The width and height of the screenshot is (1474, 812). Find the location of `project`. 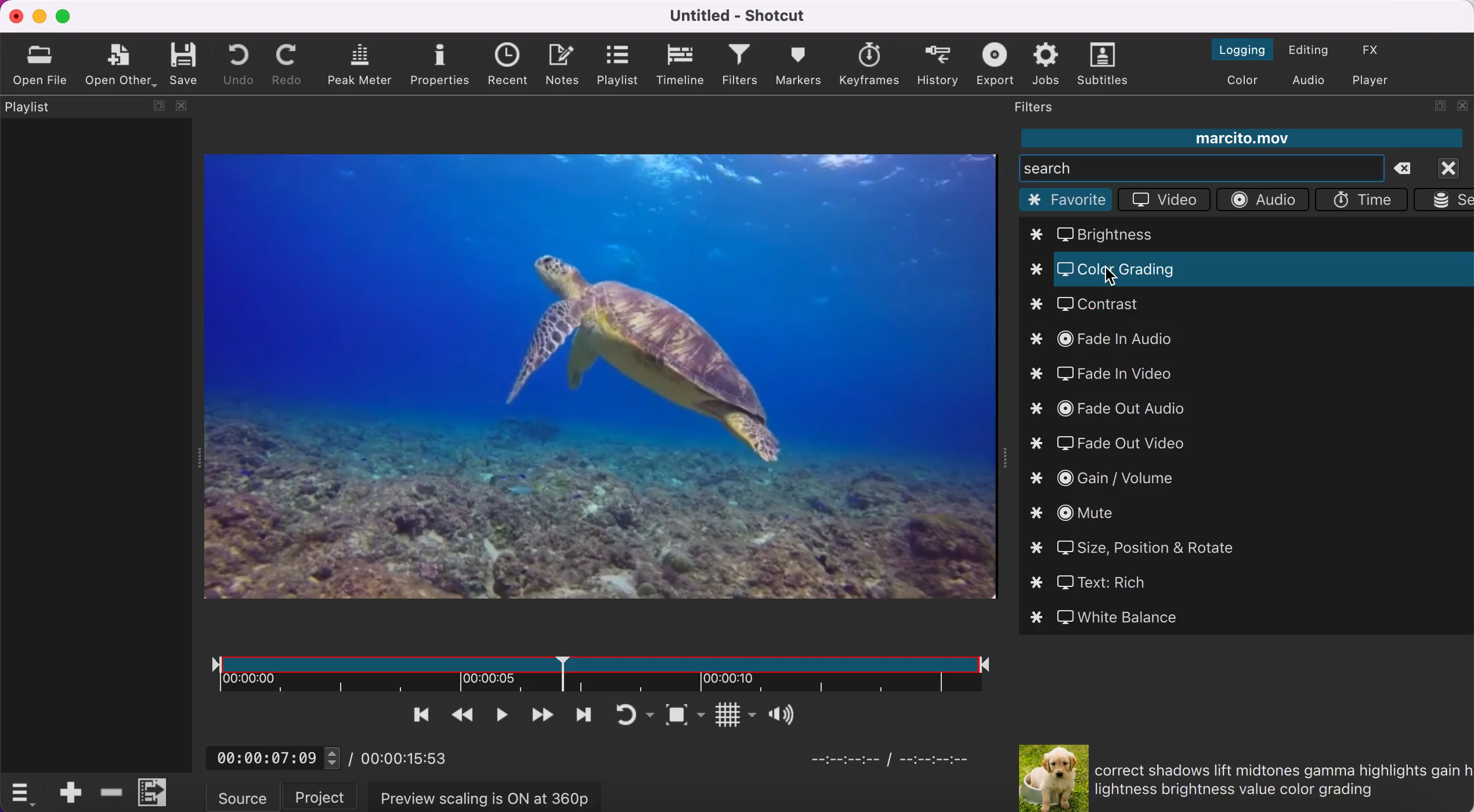

project is located at coordinates (318, 796).